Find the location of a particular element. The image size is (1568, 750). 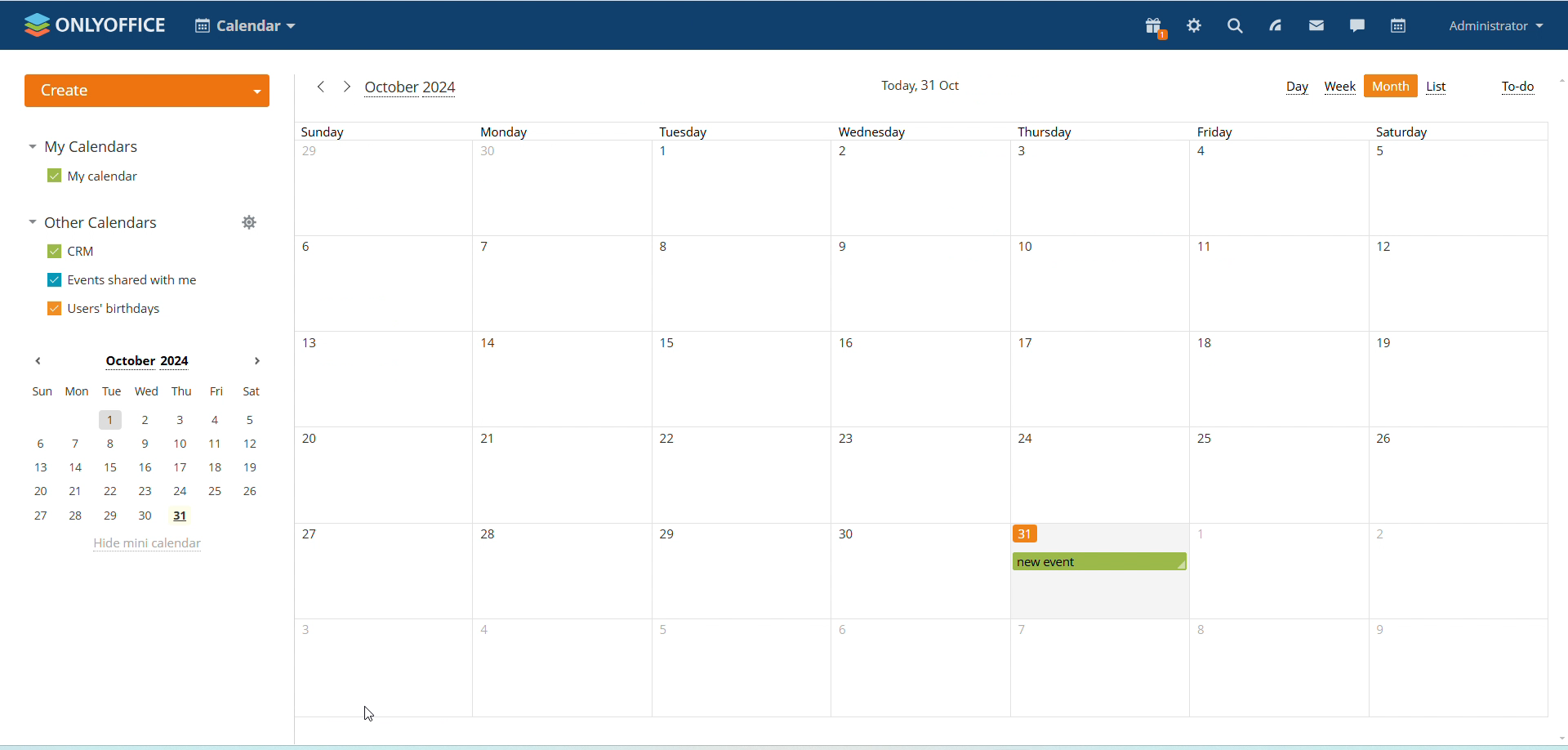

hide mini calendar is located at coordinates (145, 547).